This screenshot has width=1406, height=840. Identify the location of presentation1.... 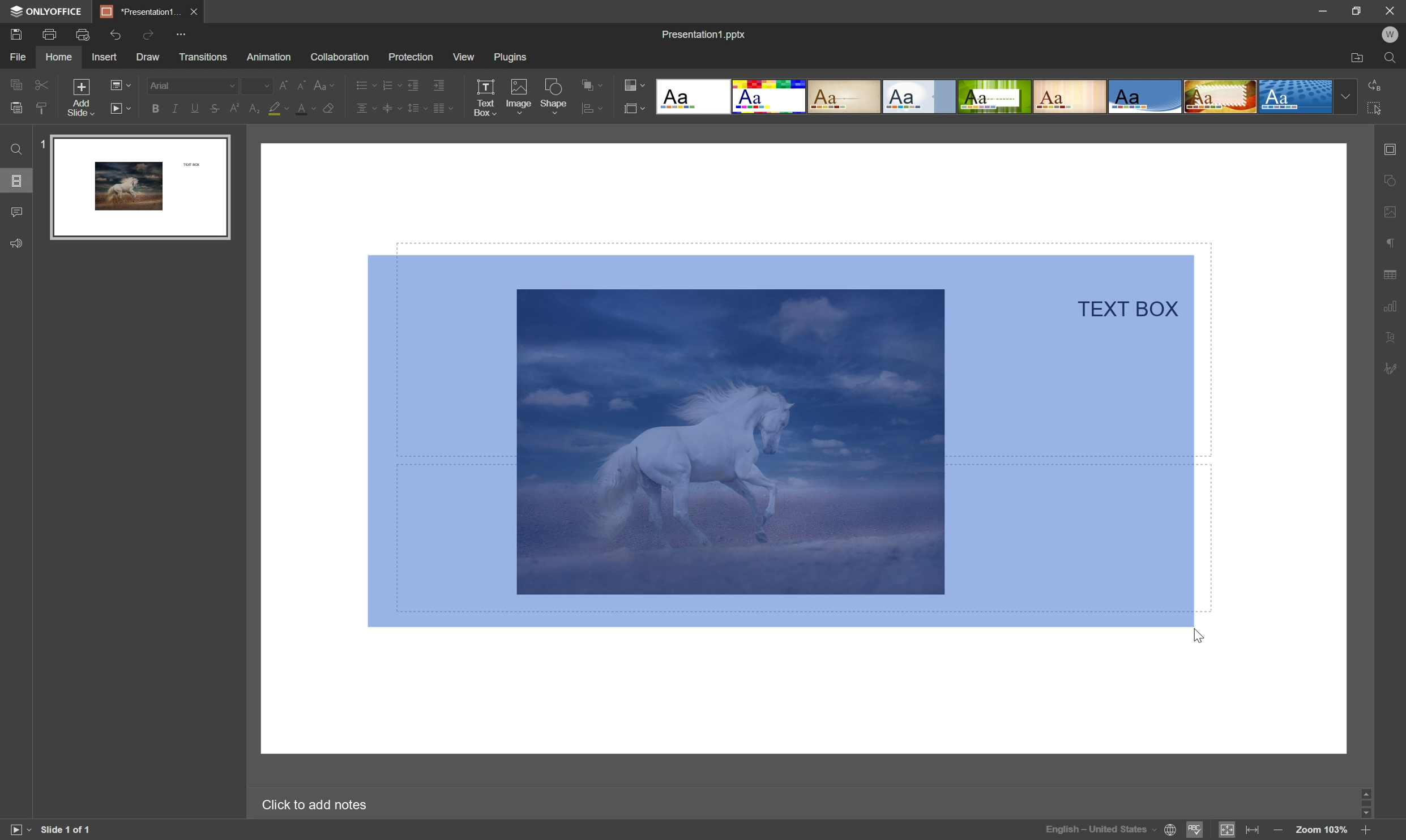
(139, 10).